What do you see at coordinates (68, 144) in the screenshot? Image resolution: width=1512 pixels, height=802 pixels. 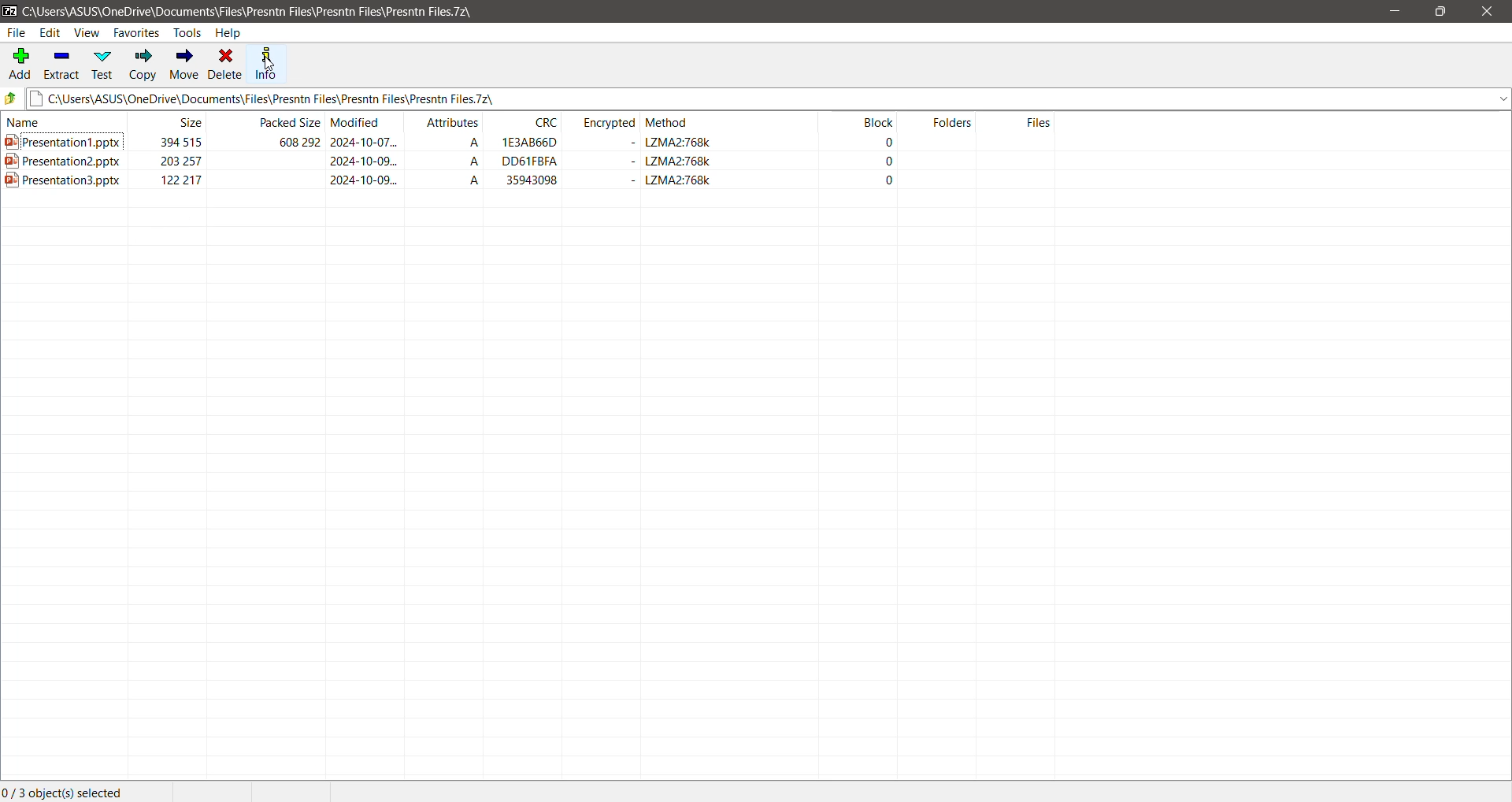 I see `prescniauon 1.ppix` at bounding box center [68, 144].